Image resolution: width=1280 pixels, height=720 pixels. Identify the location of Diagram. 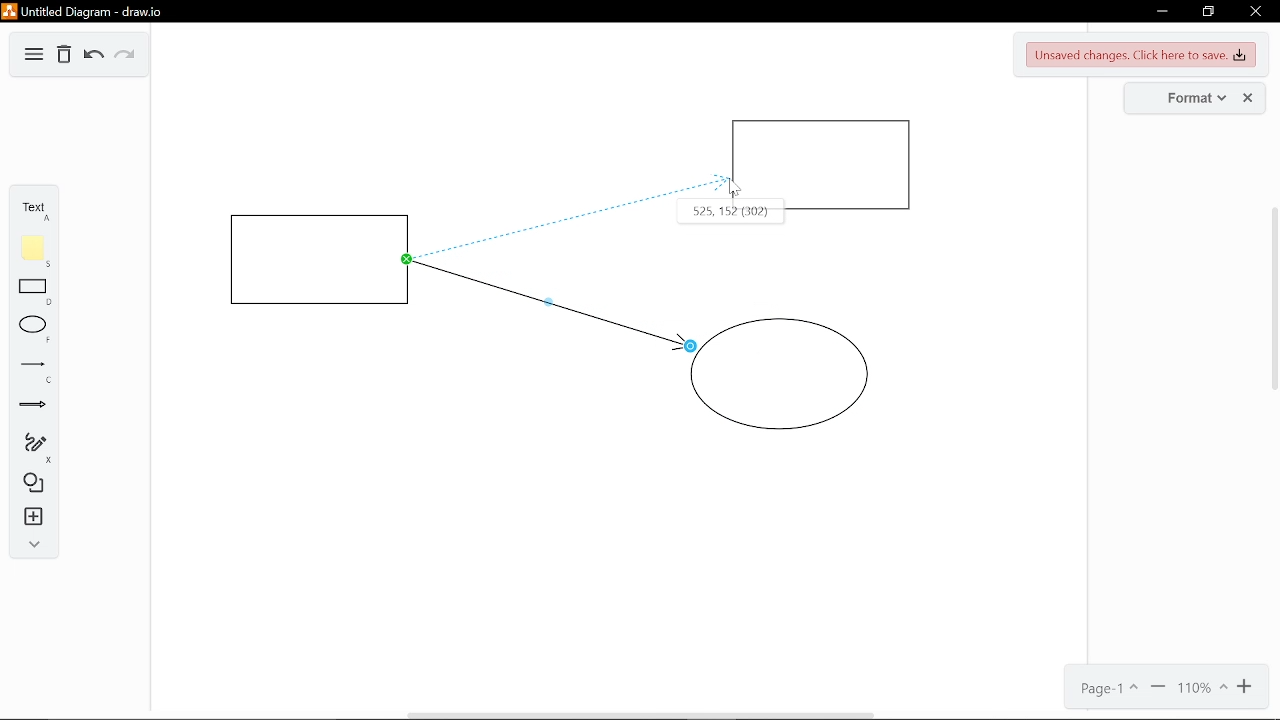
(32, 56).